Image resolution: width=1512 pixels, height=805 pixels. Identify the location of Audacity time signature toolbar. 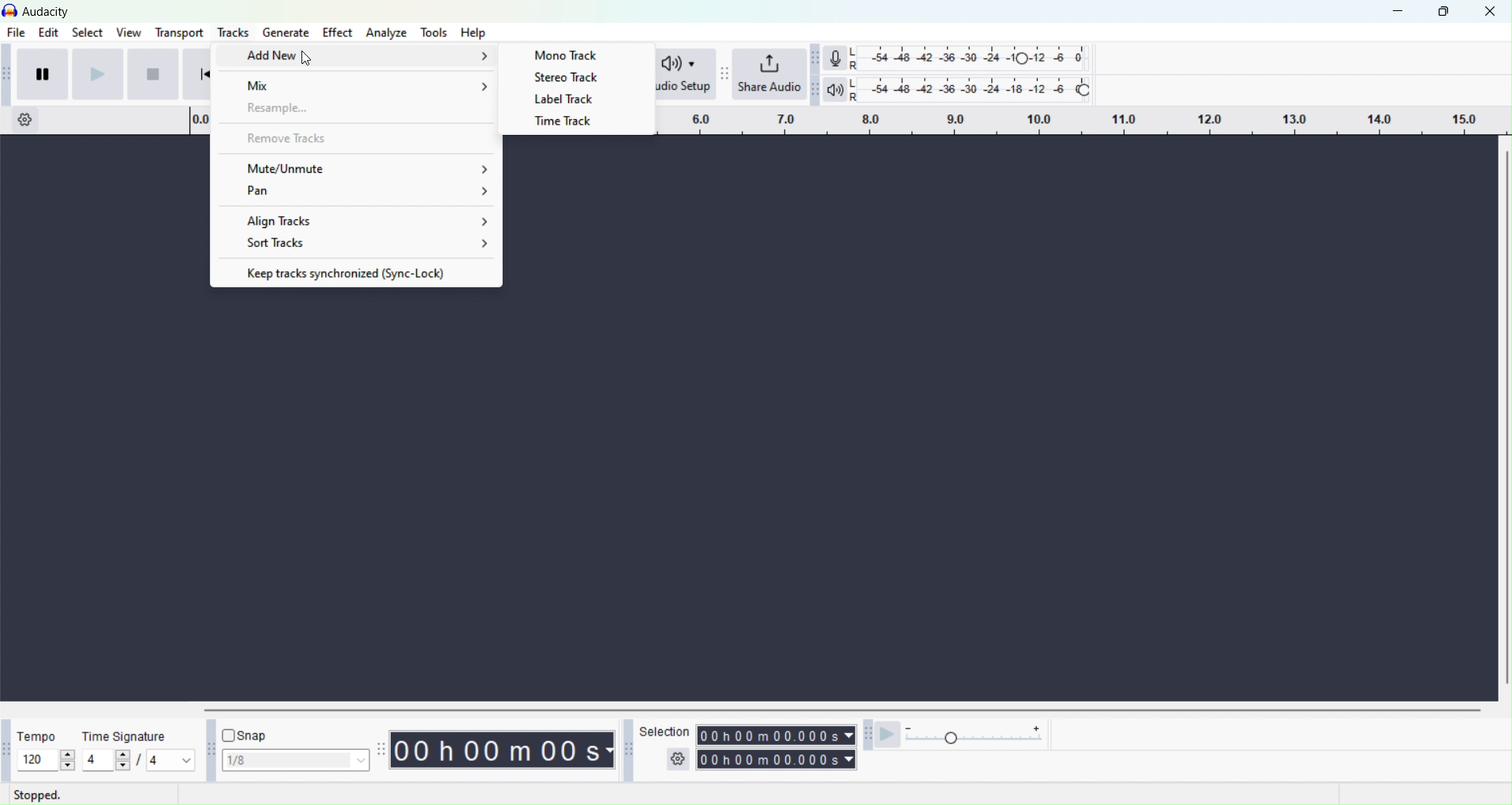
(5, 750).